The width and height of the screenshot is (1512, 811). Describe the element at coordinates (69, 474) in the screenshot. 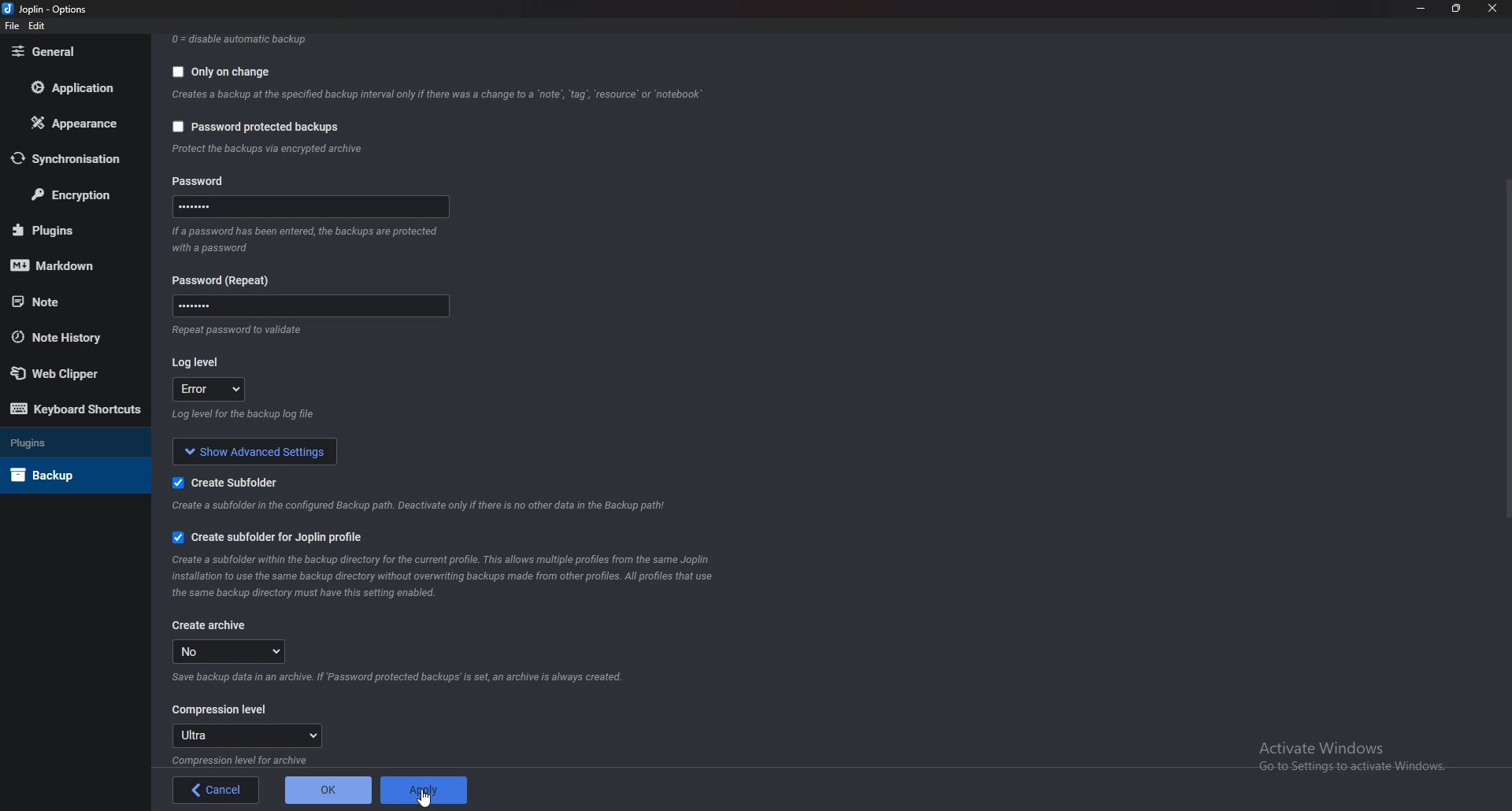

I see `Back up` at that location.